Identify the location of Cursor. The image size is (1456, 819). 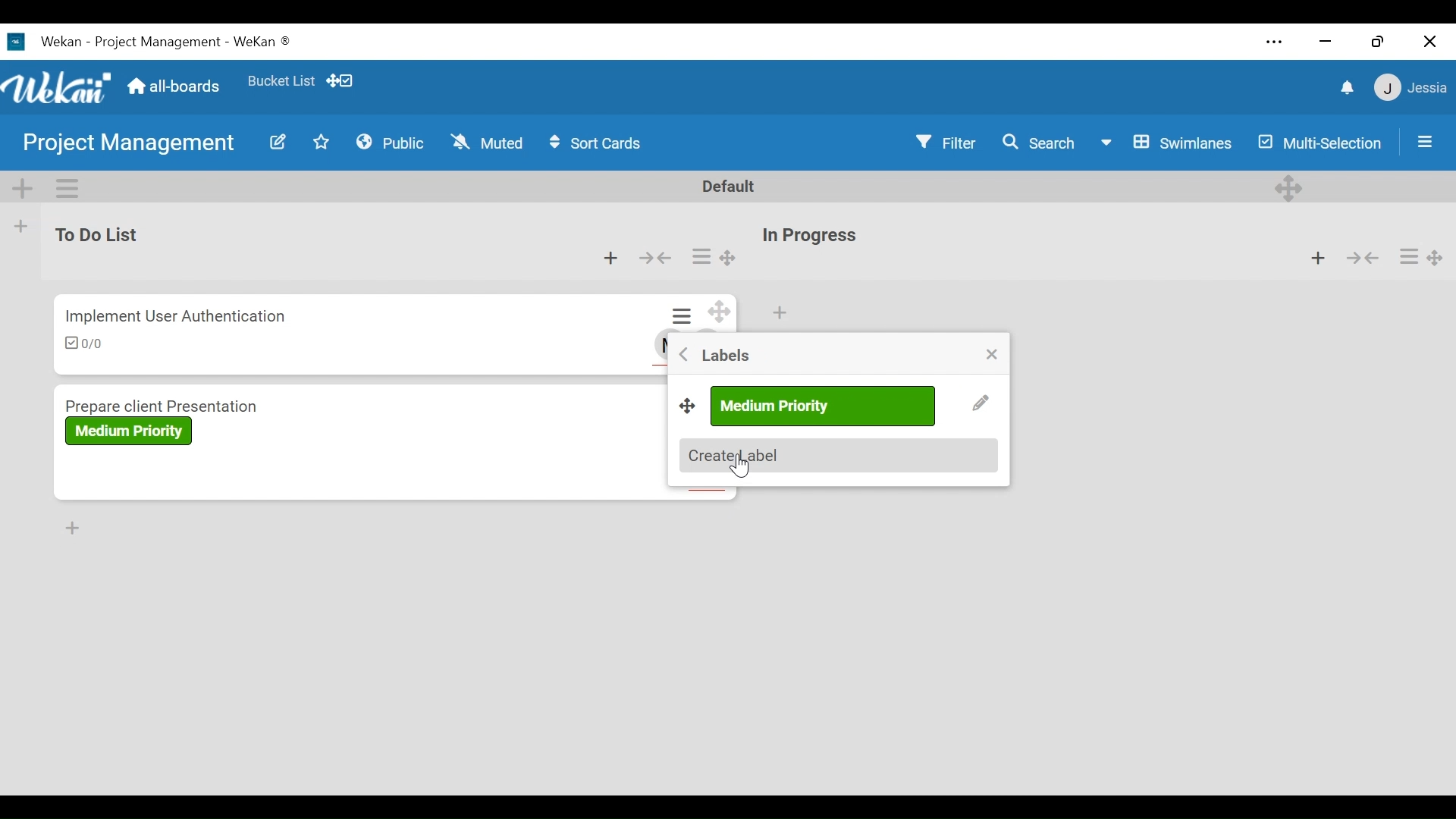
(741, 471).